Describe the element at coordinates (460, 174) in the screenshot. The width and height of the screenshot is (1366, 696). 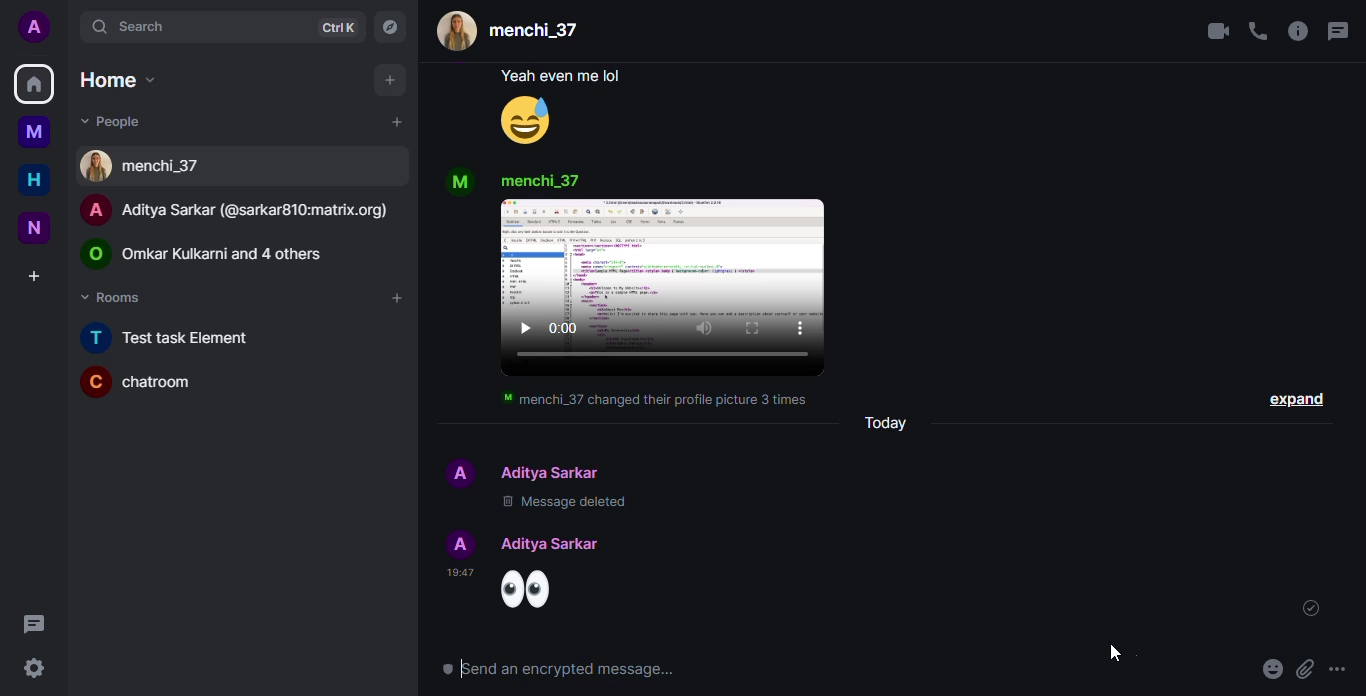
I see `profile` at that location.